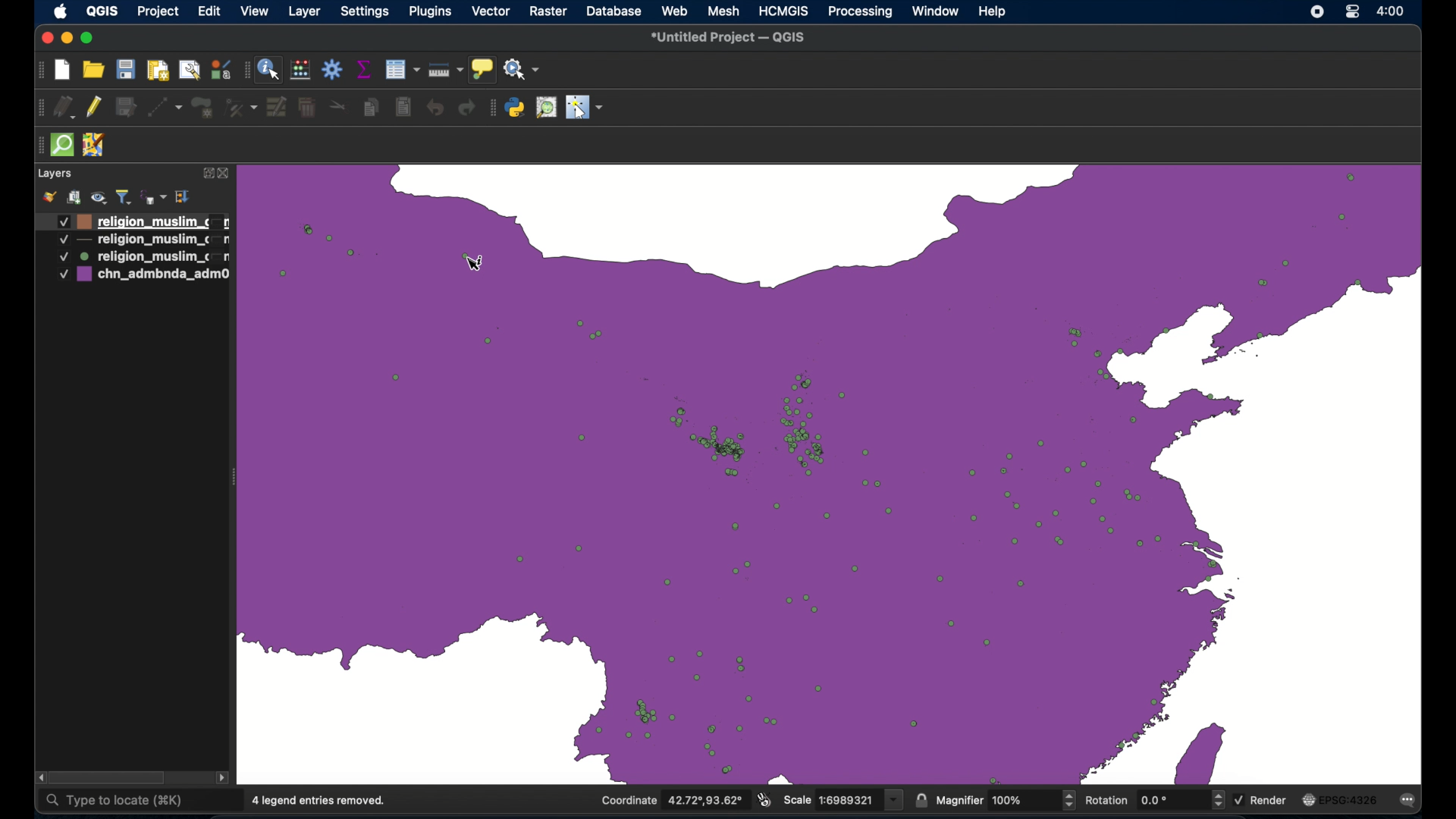 This screenshot has height=819, width=1456. I want to click on styling manager, so click(219, 69).